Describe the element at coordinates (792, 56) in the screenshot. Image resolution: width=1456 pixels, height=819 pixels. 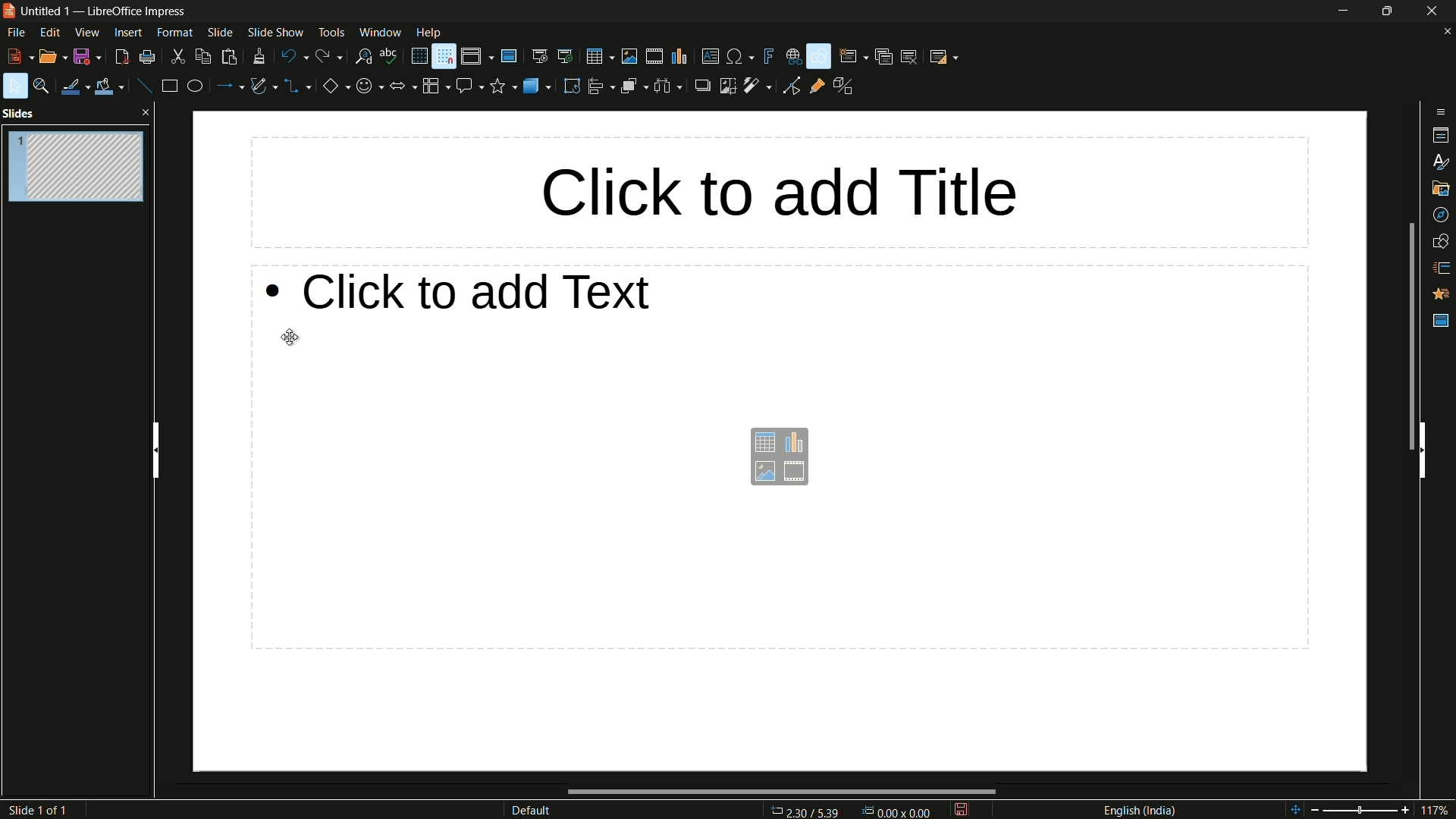
I see `insert hyperlink` at that location.